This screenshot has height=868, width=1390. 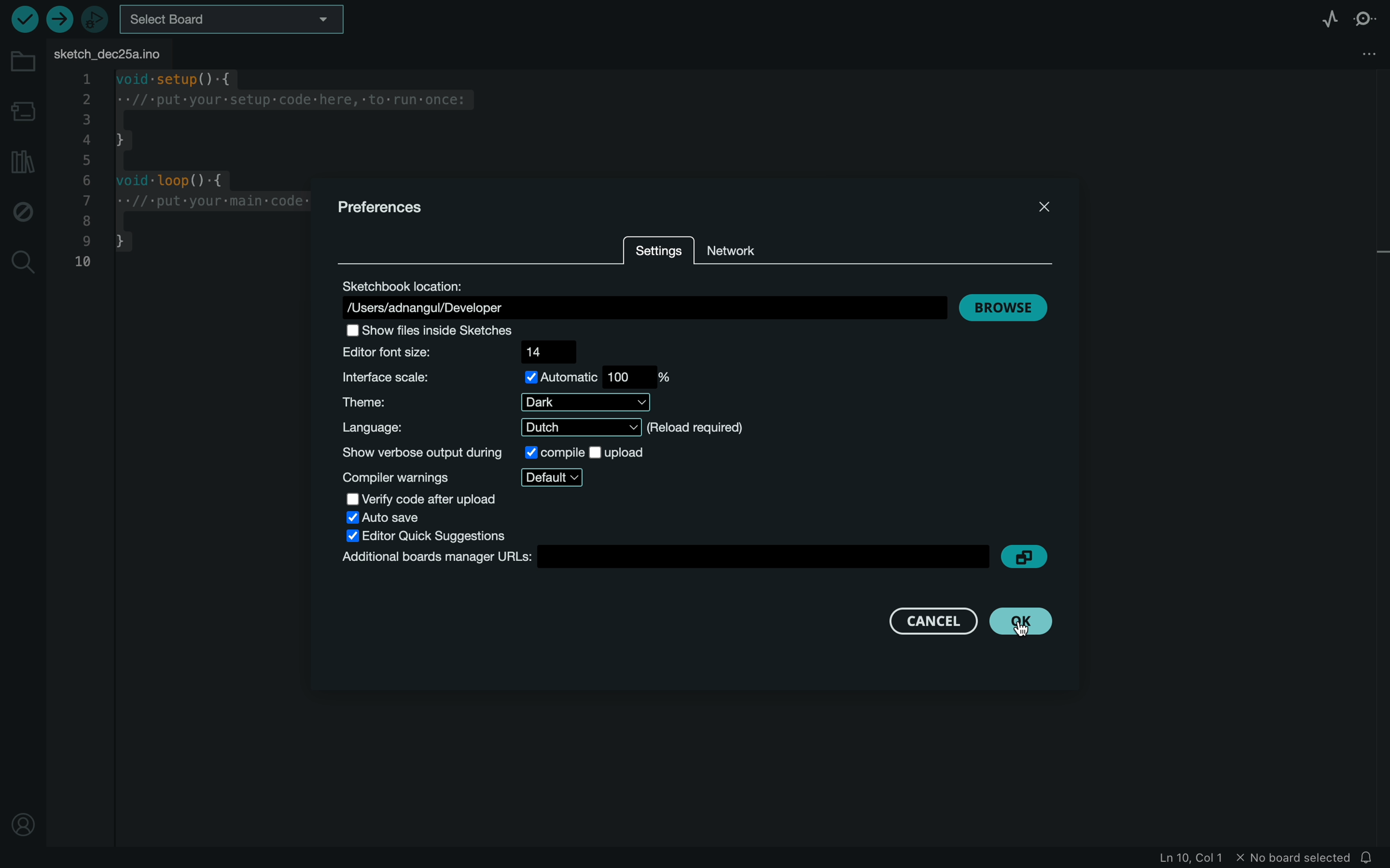 I want to click on board  selecter, so click(x=234, y=21).